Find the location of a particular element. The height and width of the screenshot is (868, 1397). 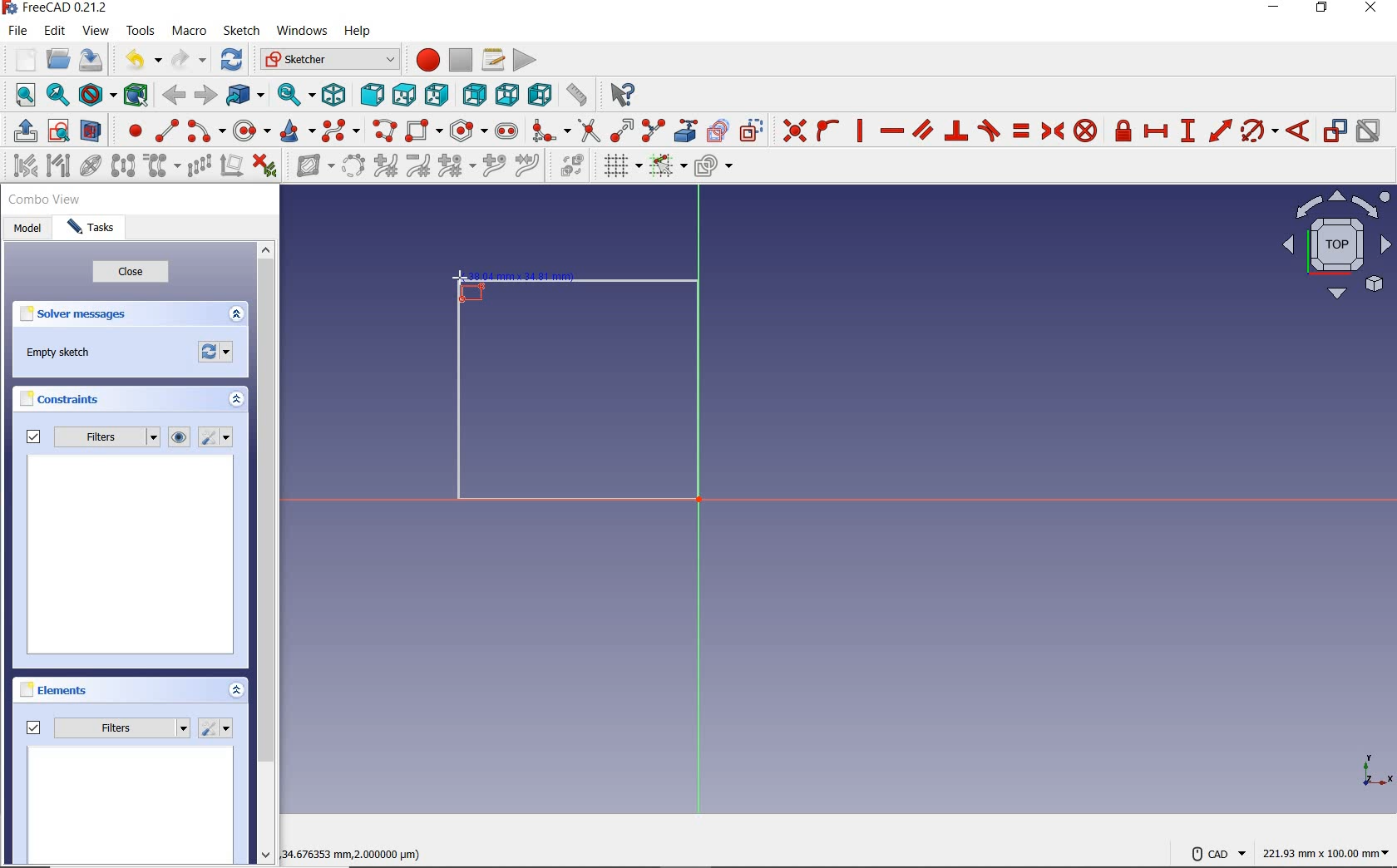

top is located at coordinates (405, 96).